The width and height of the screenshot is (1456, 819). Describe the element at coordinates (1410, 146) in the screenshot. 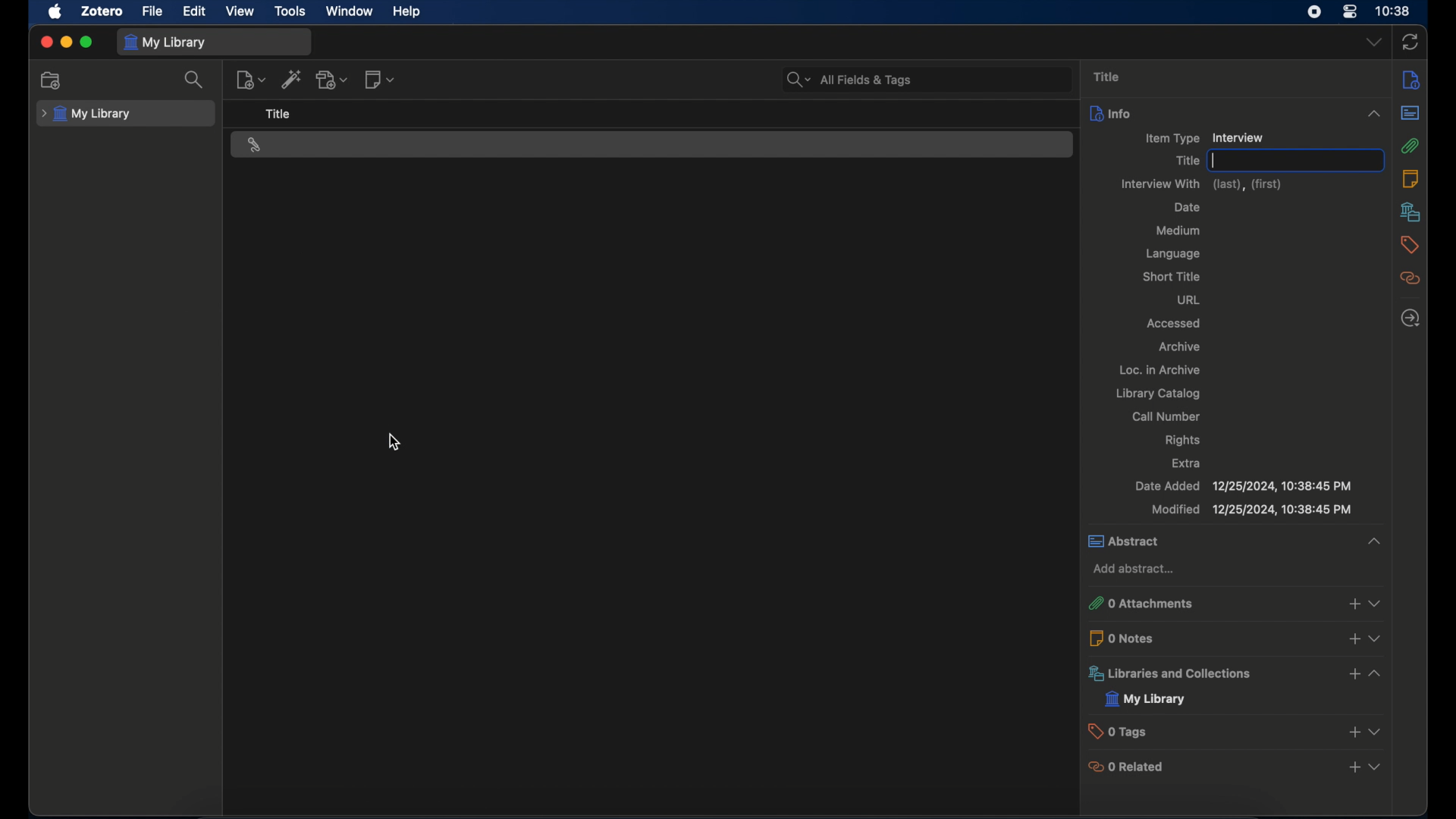

I see `attachments` at that location.